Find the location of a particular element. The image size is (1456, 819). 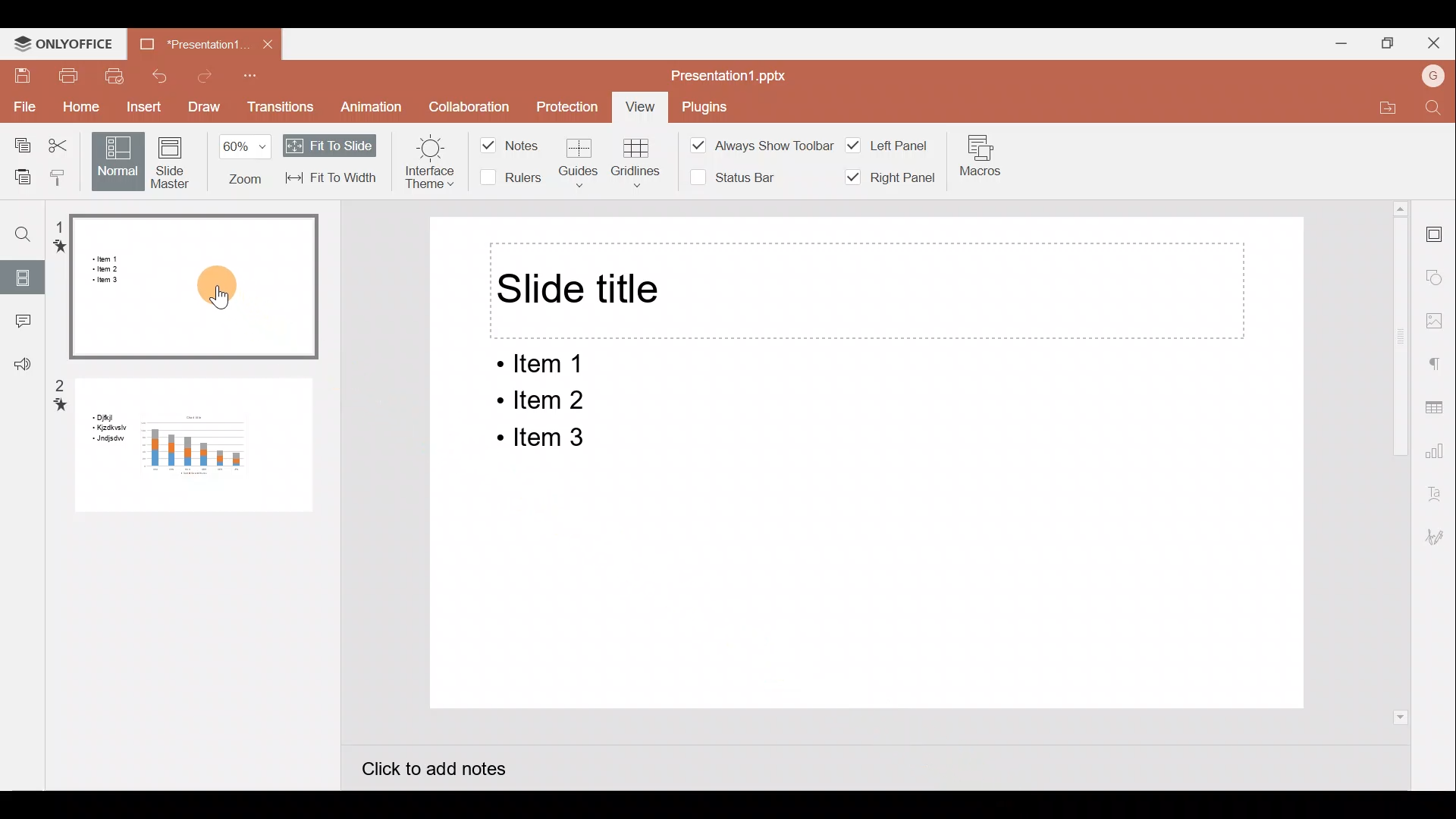

Close is located at coordinates (1433, 45).